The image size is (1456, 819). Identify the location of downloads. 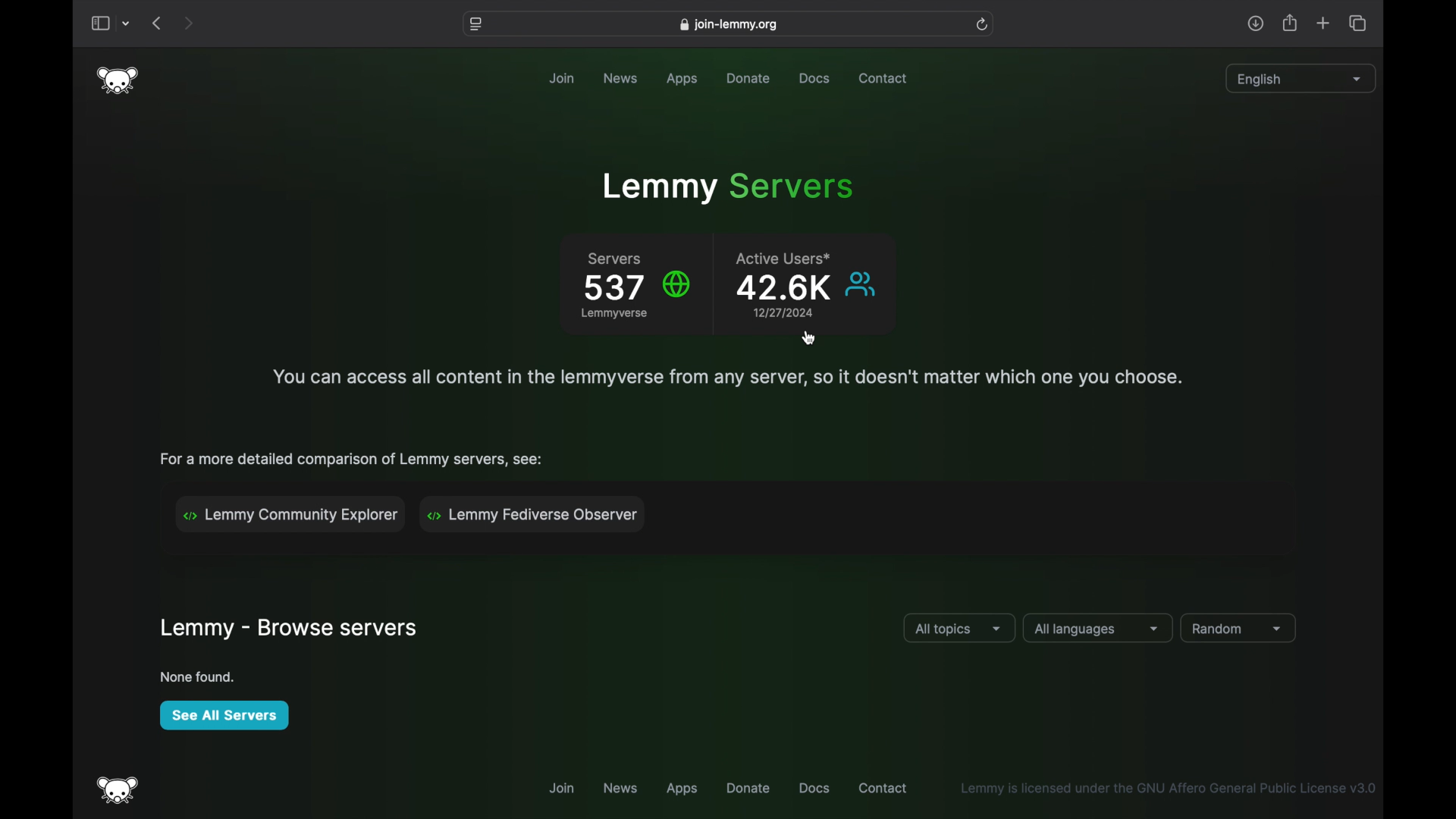
(1256, 23).